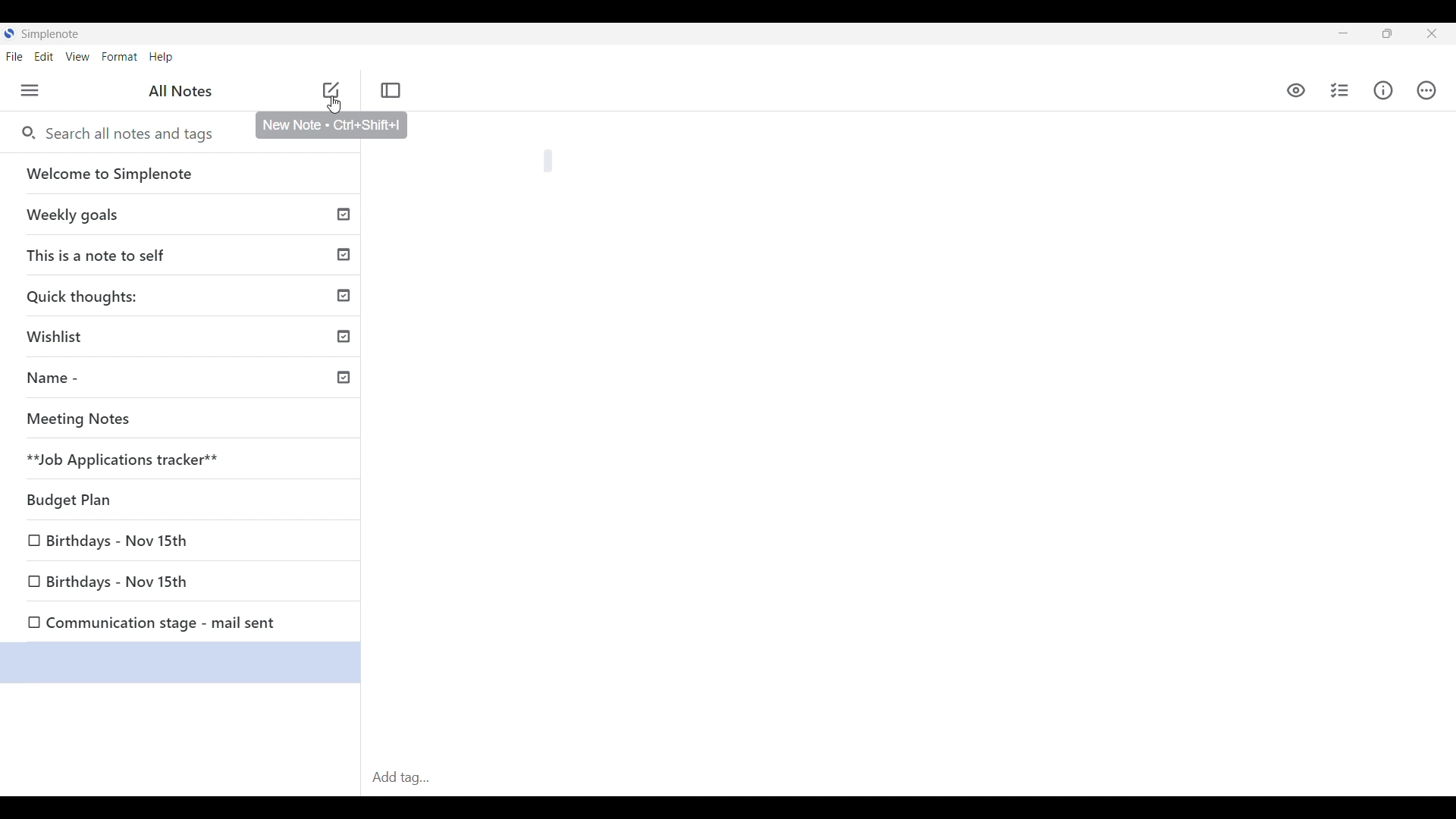  Describe the element at coordinates (1383, 90) in the screenshot. I see `Info` at that location.